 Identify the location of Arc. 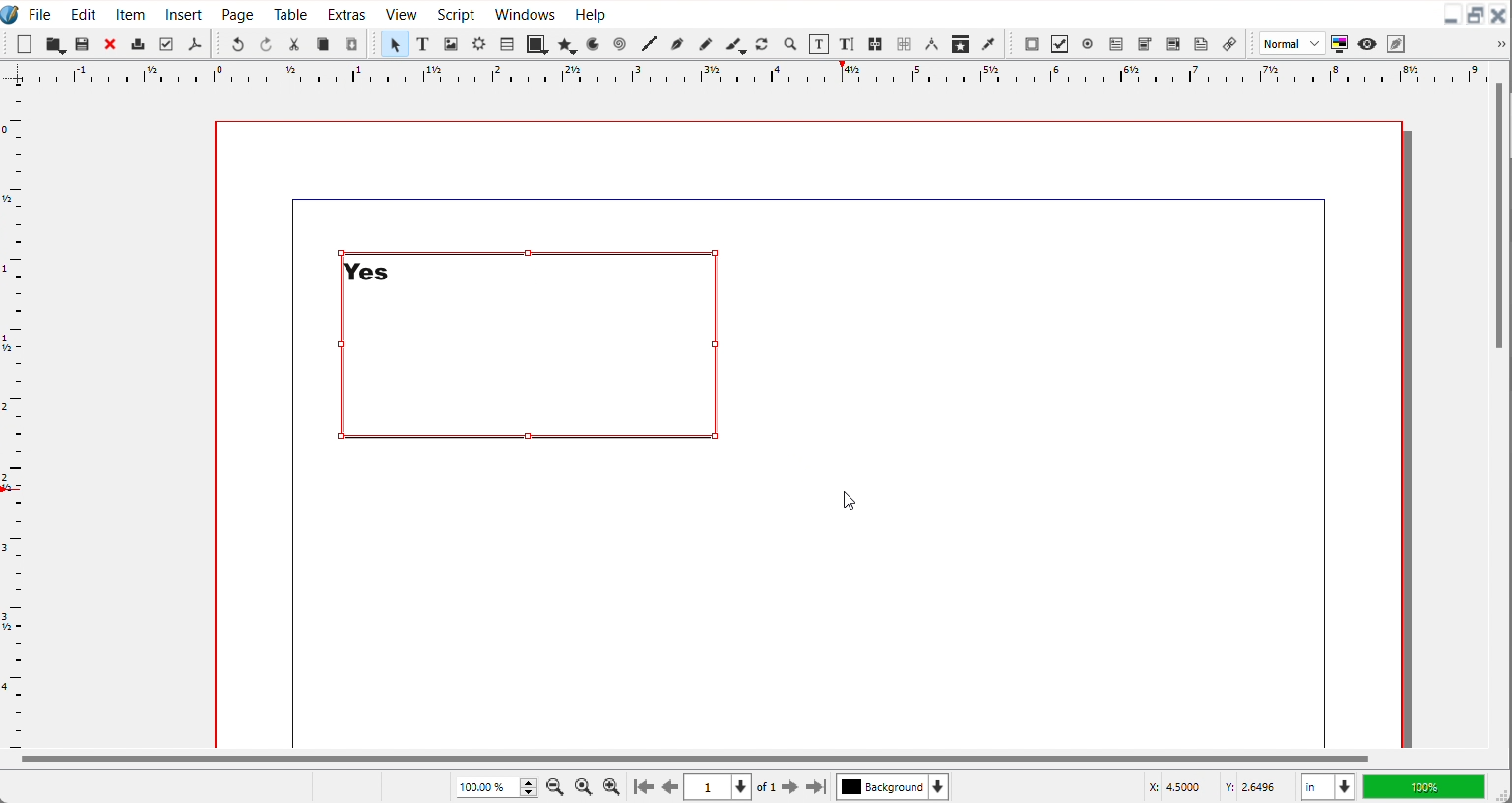
(595, 43).